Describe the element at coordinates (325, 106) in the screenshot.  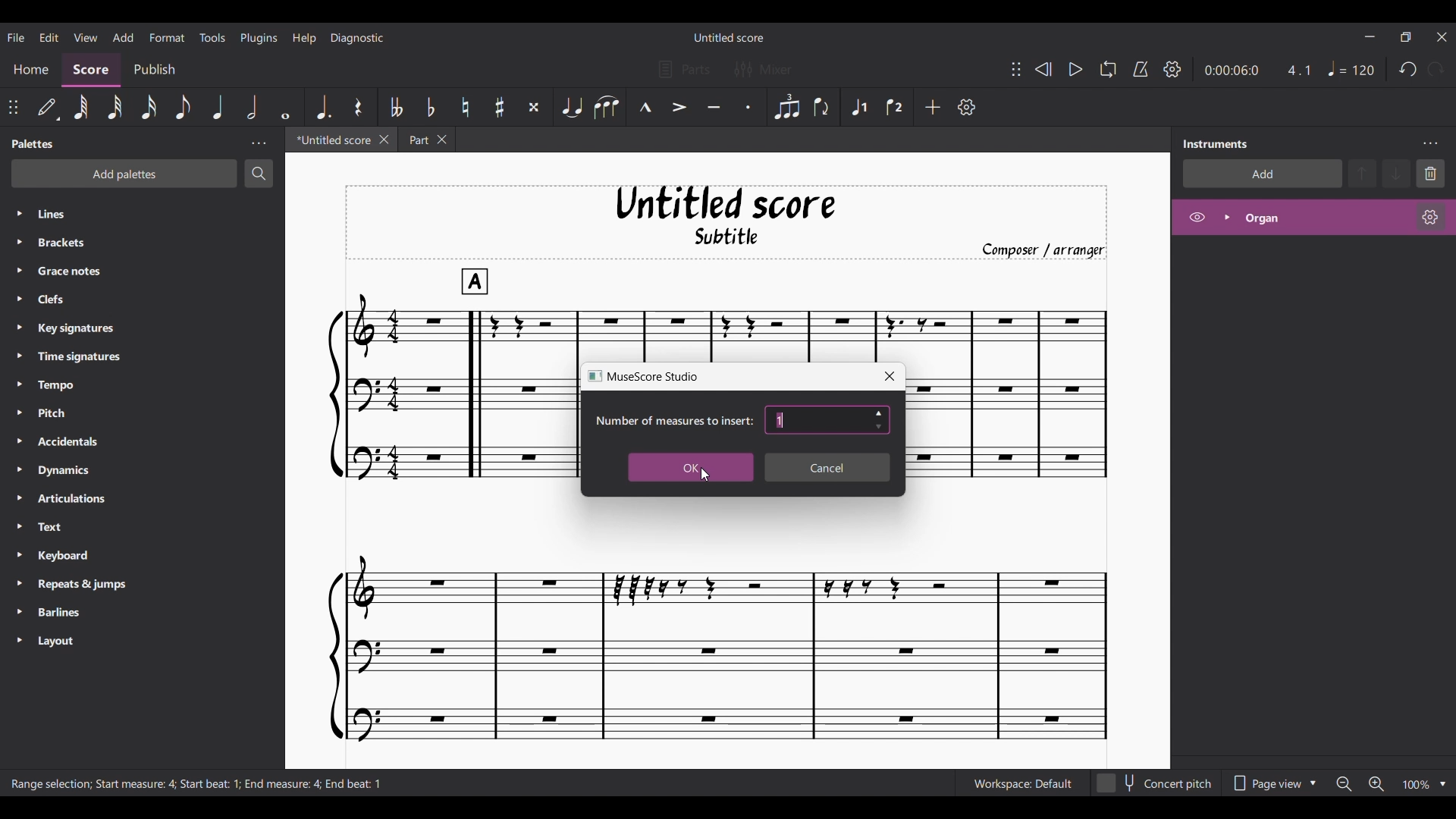
I see `Augmentation dot` at that location.